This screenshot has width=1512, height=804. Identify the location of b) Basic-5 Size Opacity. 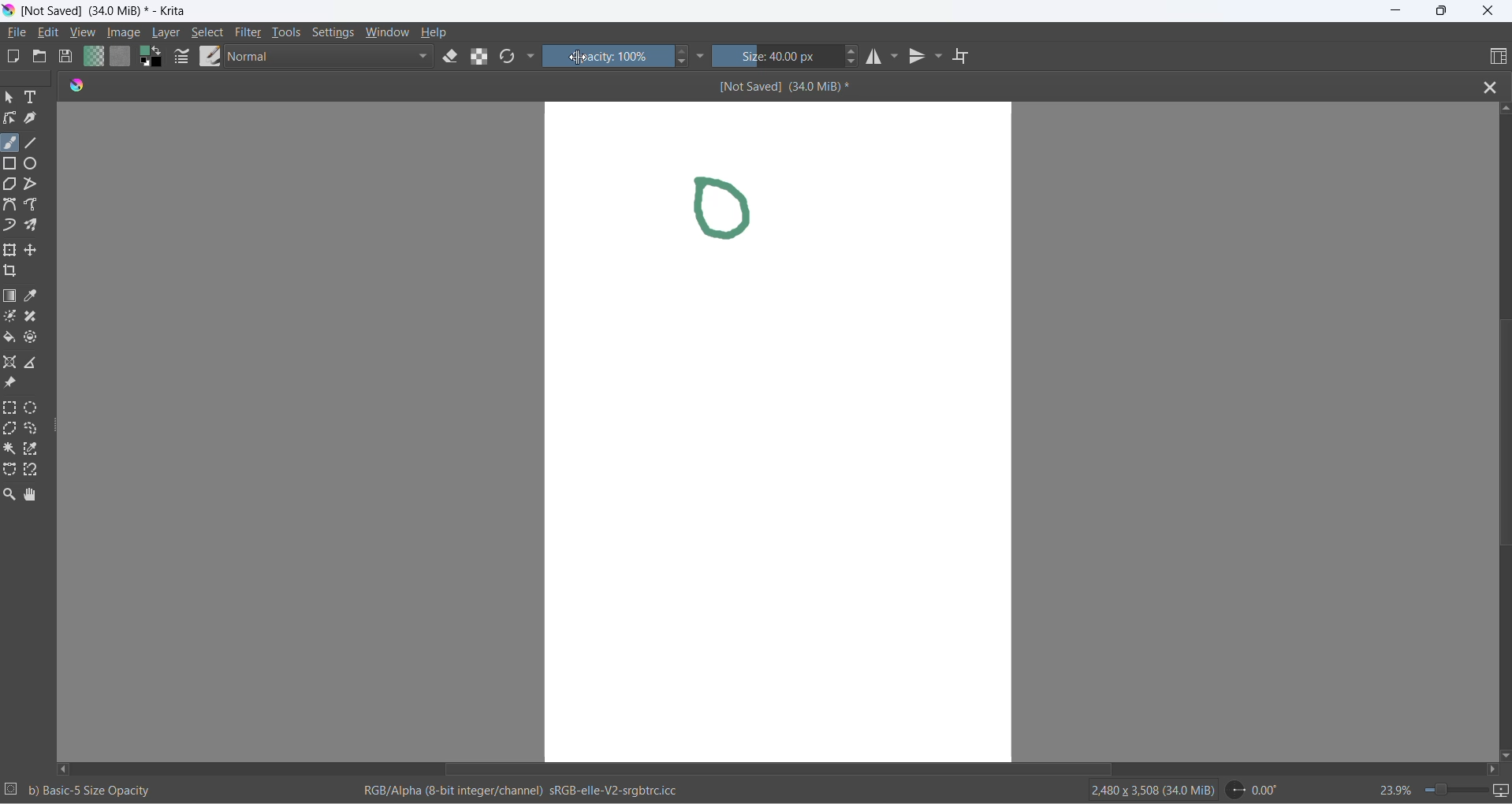
(92, 789).